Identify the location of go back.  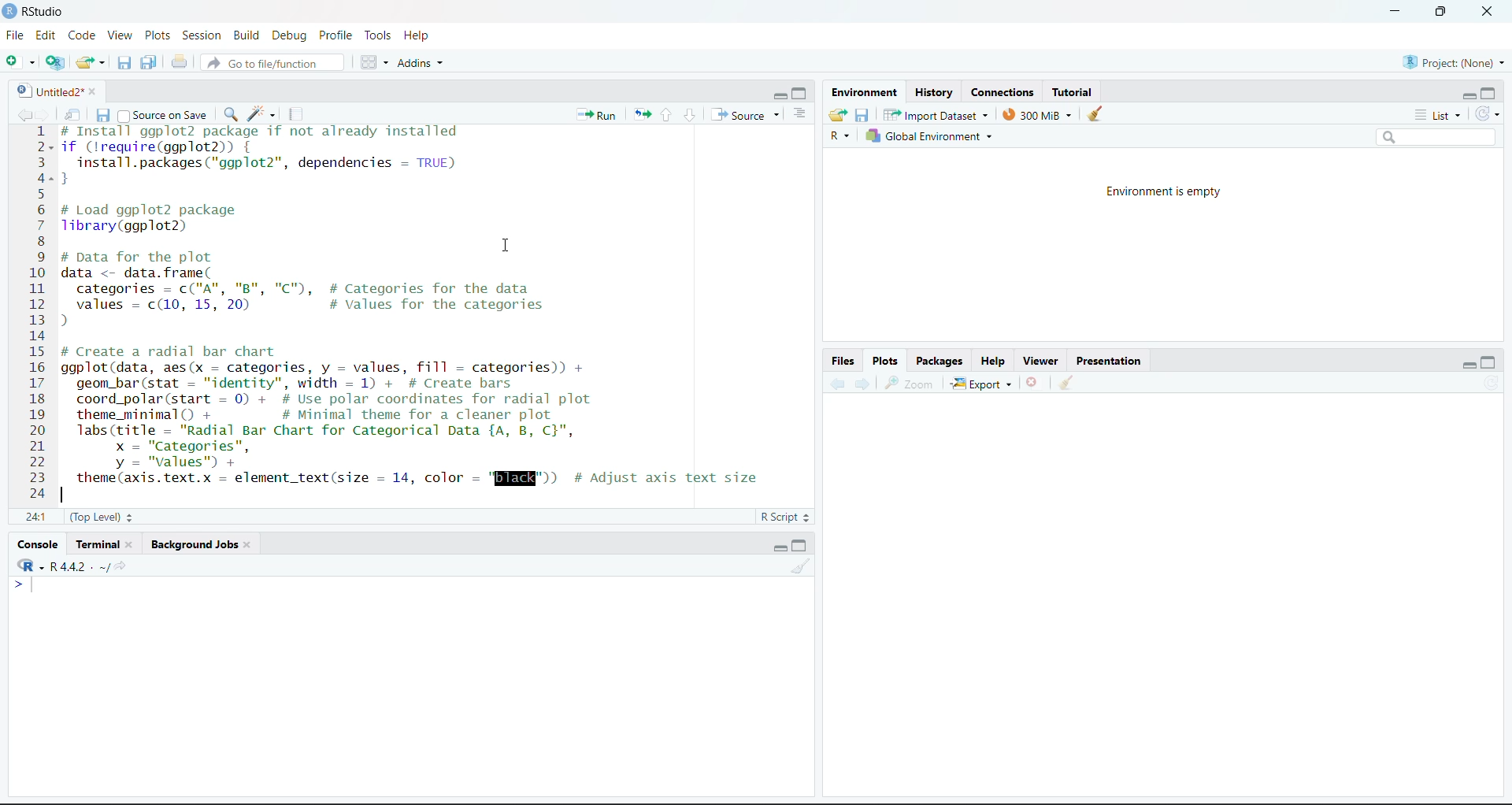
(833, 385).